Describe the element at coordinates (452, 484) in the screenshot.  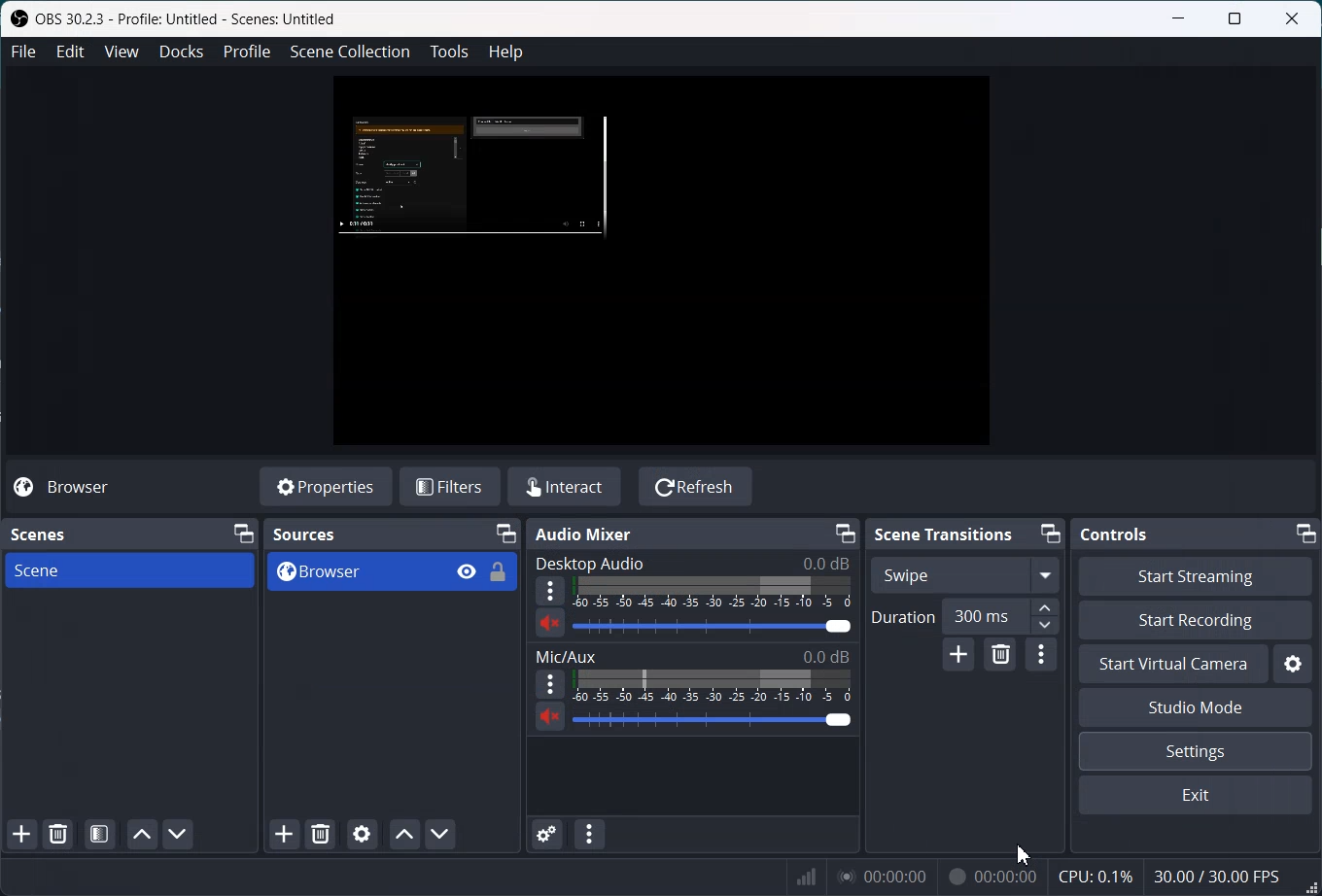
I see `Filters` at that location.